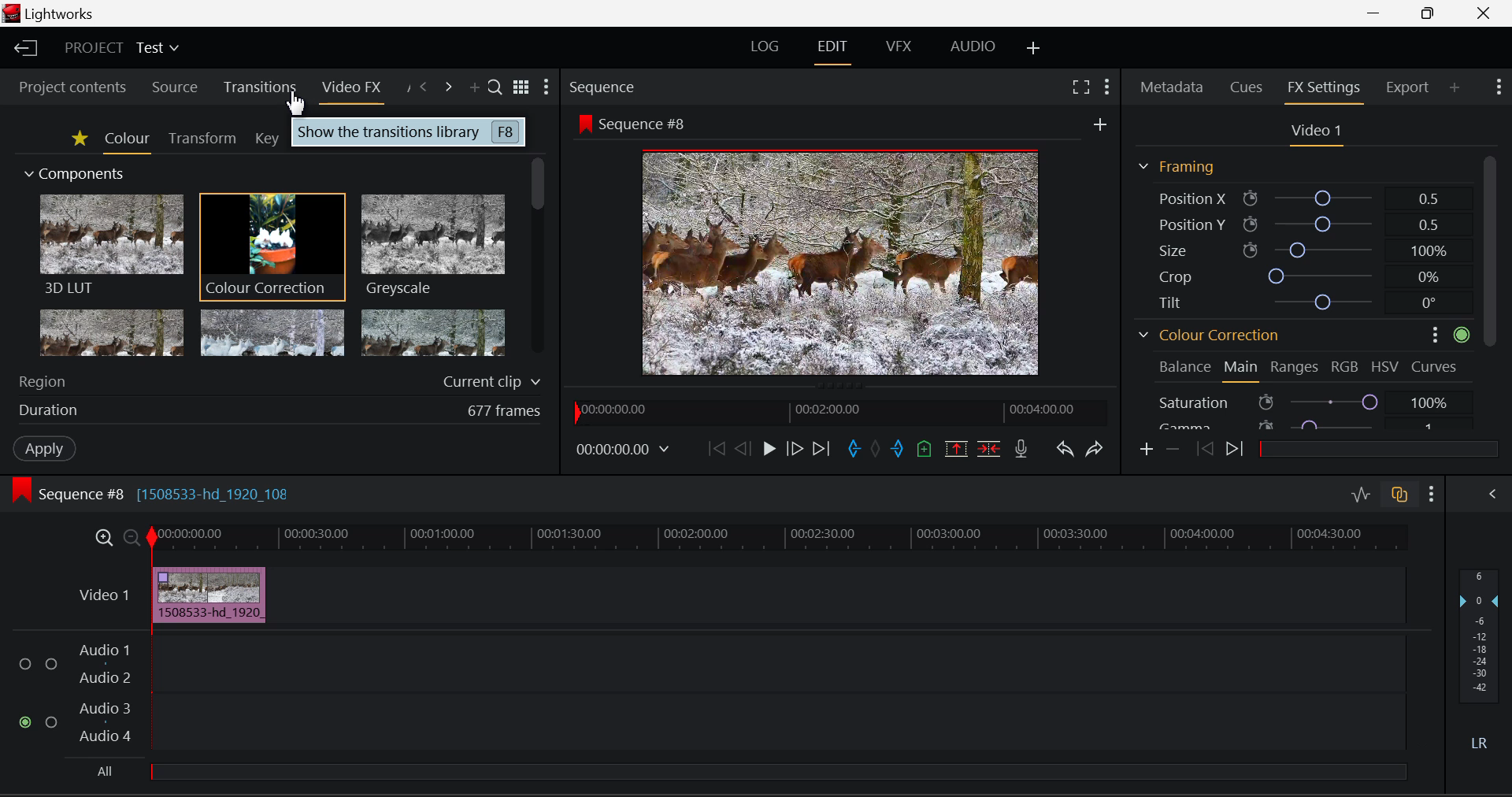 This screenshot has height=797, width=1512. I want to click on Framing Section, so click(1177, 168).